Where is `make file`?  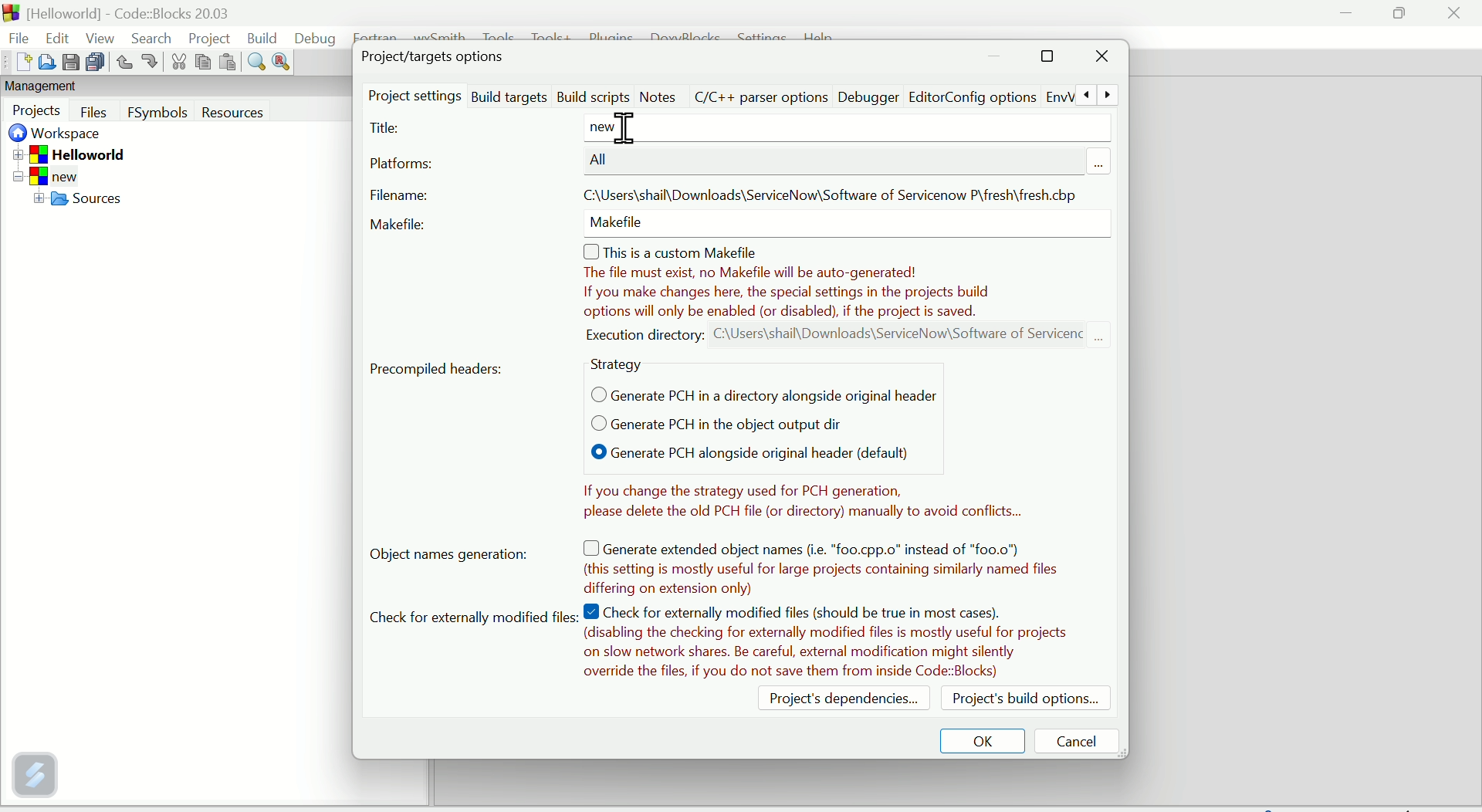
make file is located at coordinates (620, 227).